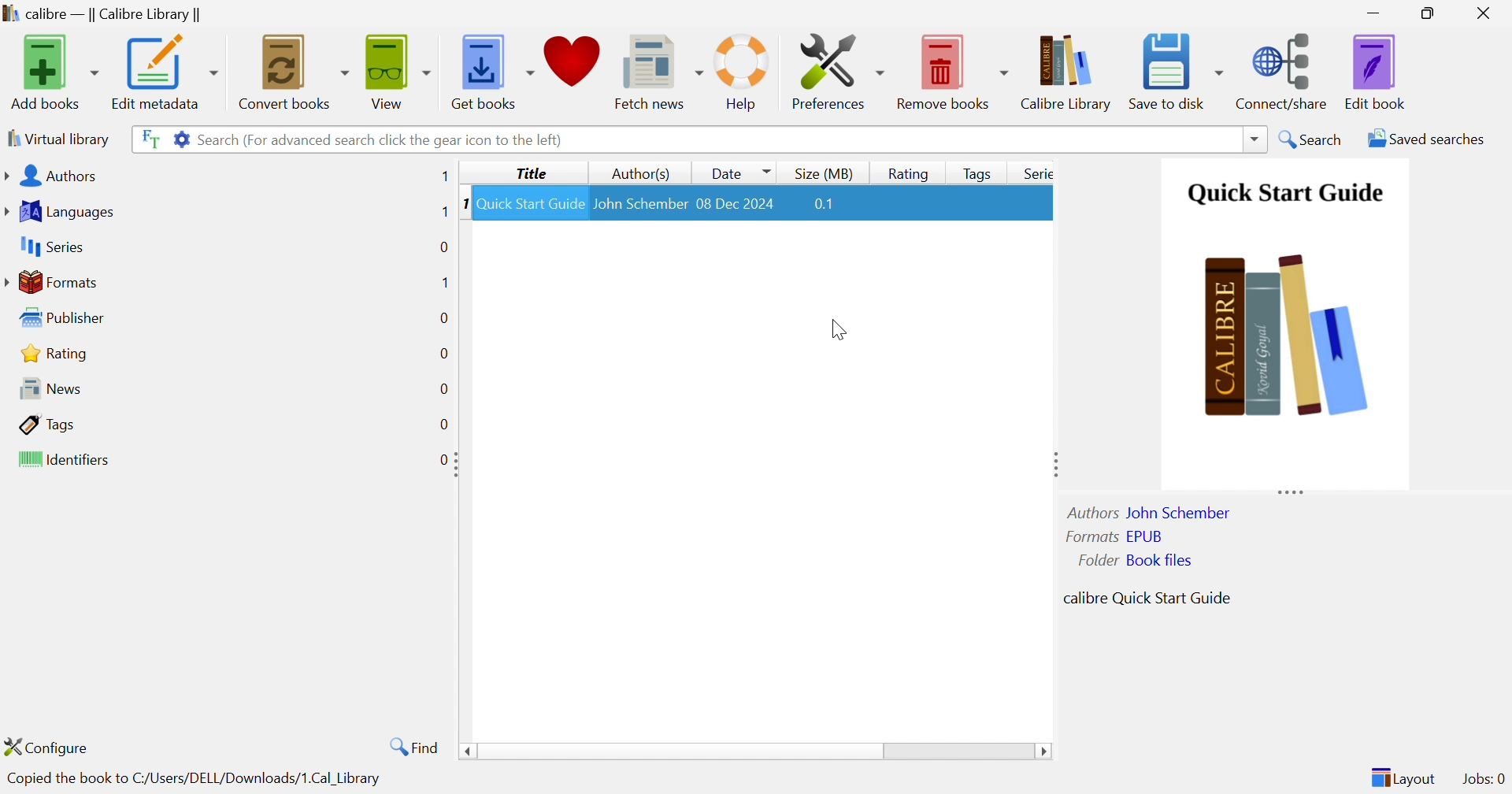 The height and width of the screenshot is (794, 1512). Describe the element at coordinates (383, 141) in the screenshot. I see `Search (For advanced search click the gear icon to the left)` at that location.